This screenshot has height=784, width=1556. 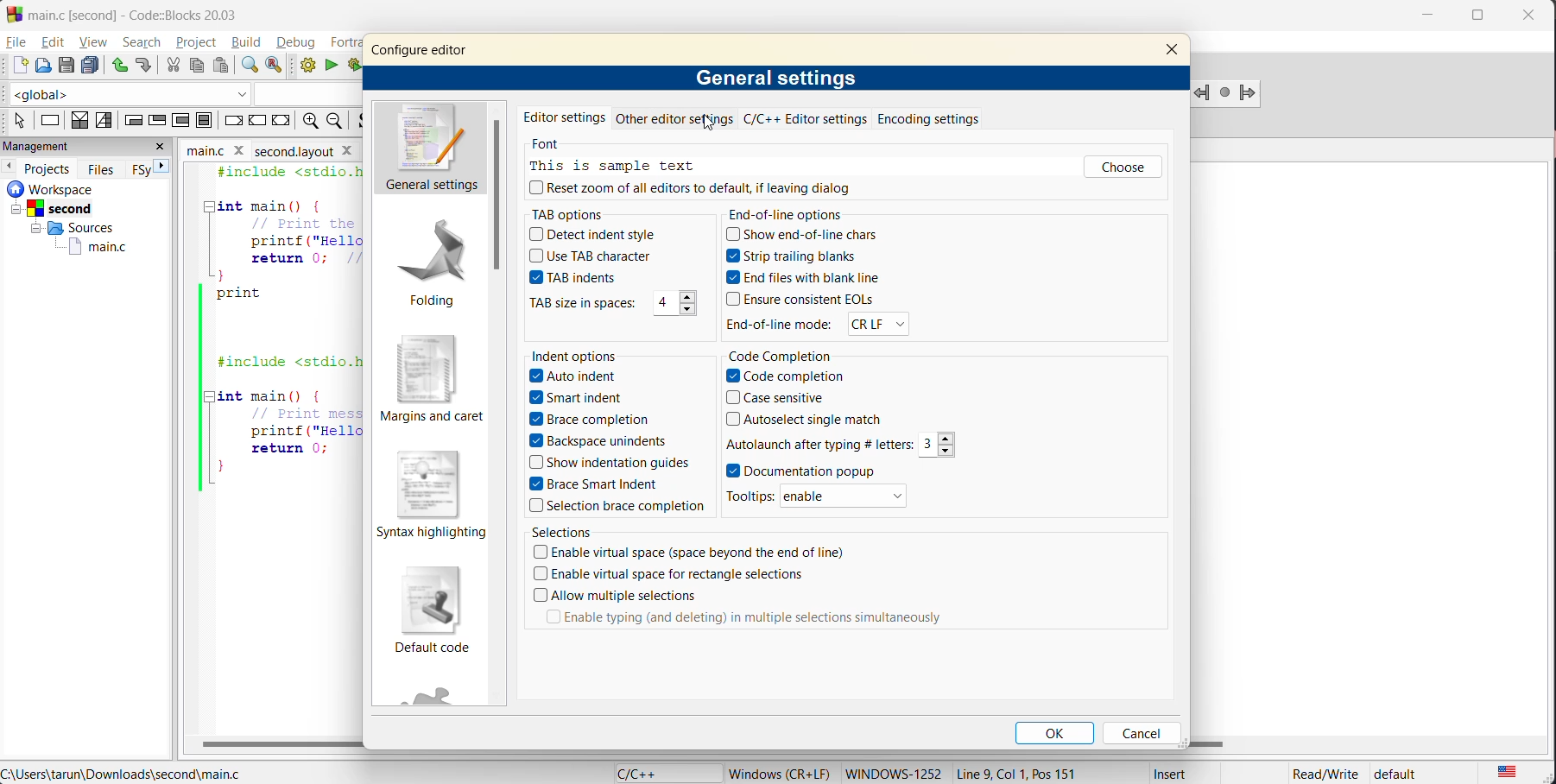 I want to click on close, so click(x=1176, y=54).